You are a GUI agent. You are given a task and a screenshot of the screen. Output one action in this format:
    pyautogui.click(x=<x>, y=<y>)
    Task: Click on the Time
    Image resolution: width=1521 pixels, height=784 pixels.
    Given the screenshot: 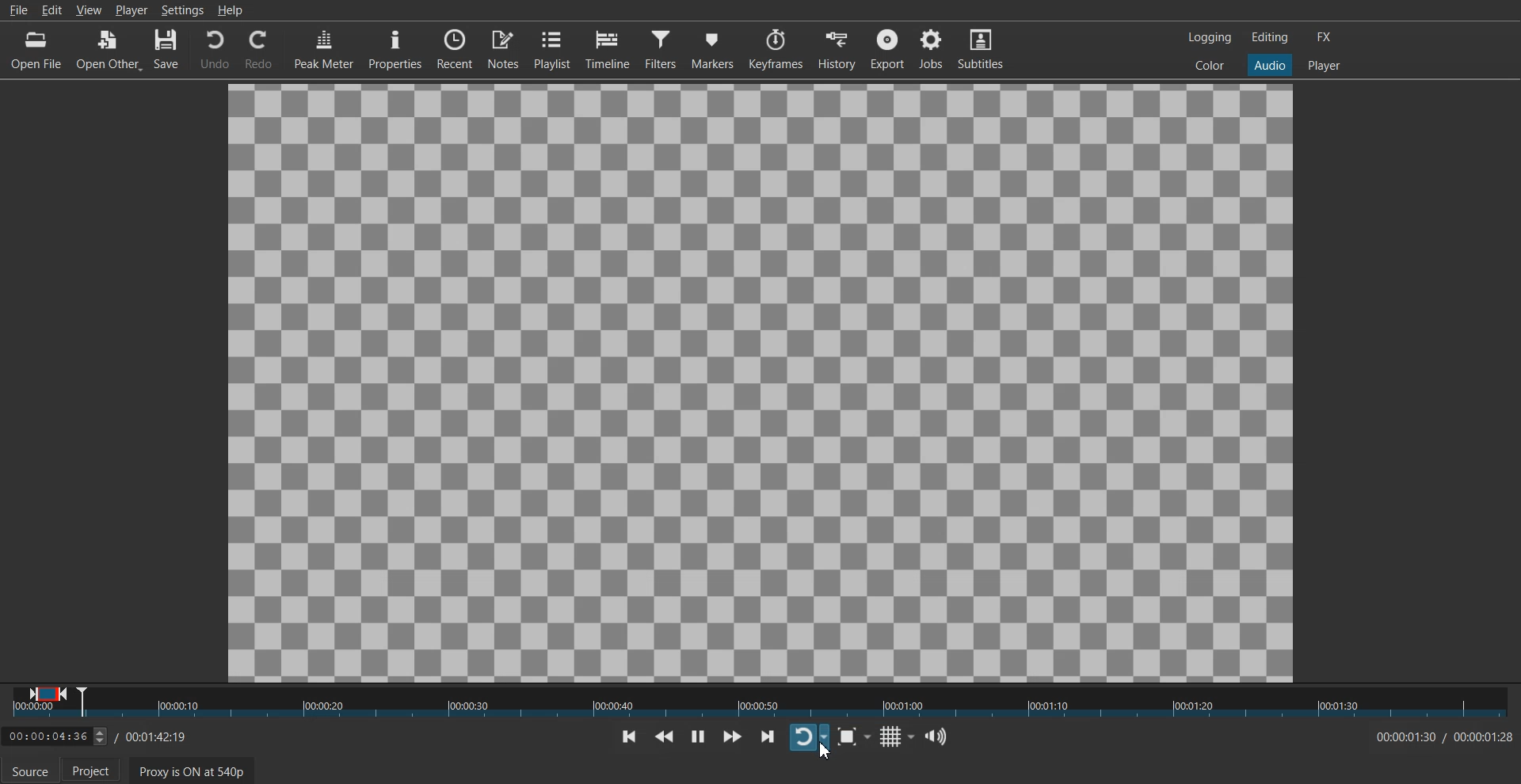 What is the action you would take?
    pyautogui.click(x=1439, y=737)
    